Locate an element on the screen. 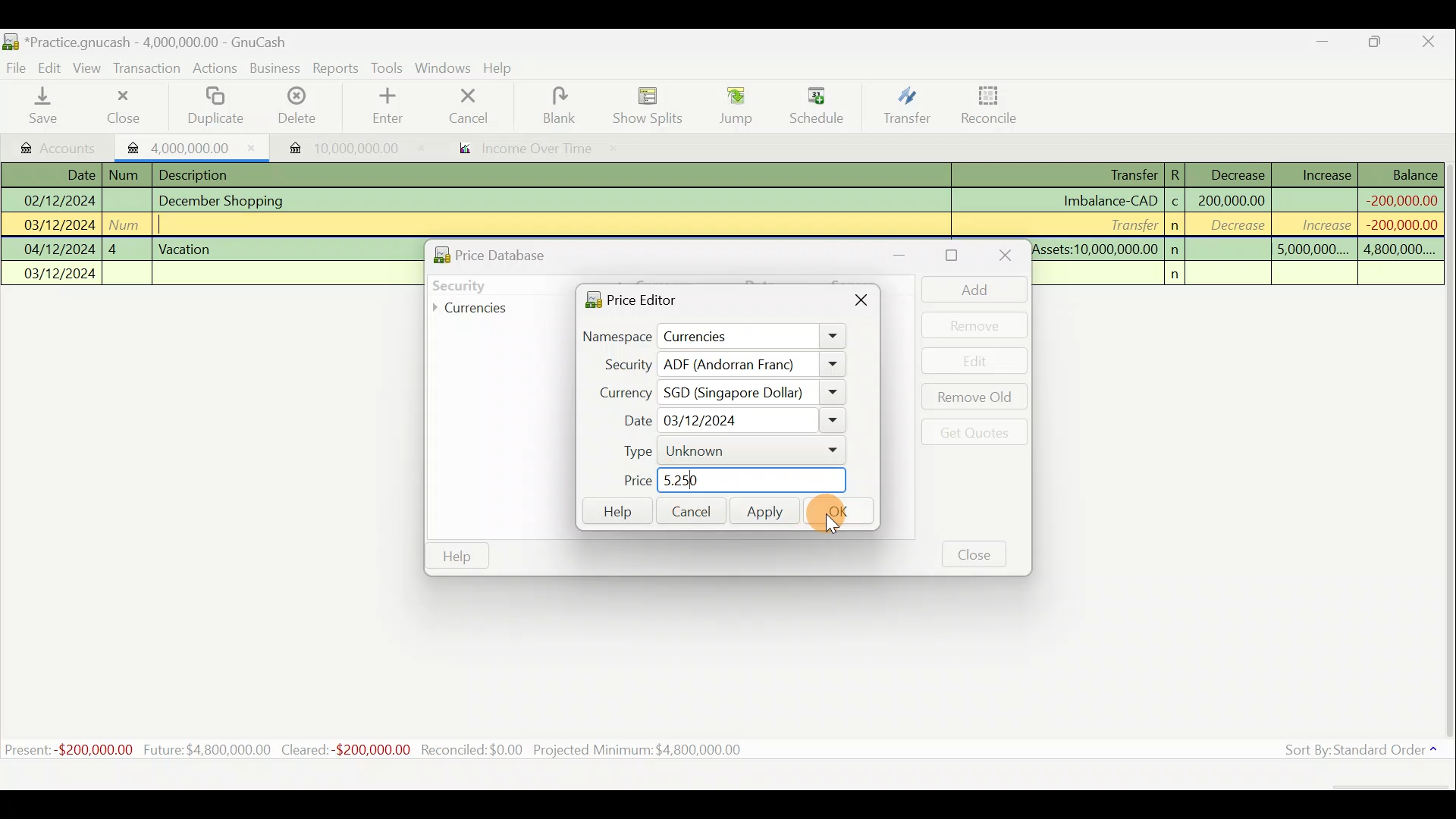 This screenshot has height=819, width=1456. blank is located at coordinates (570, 105).